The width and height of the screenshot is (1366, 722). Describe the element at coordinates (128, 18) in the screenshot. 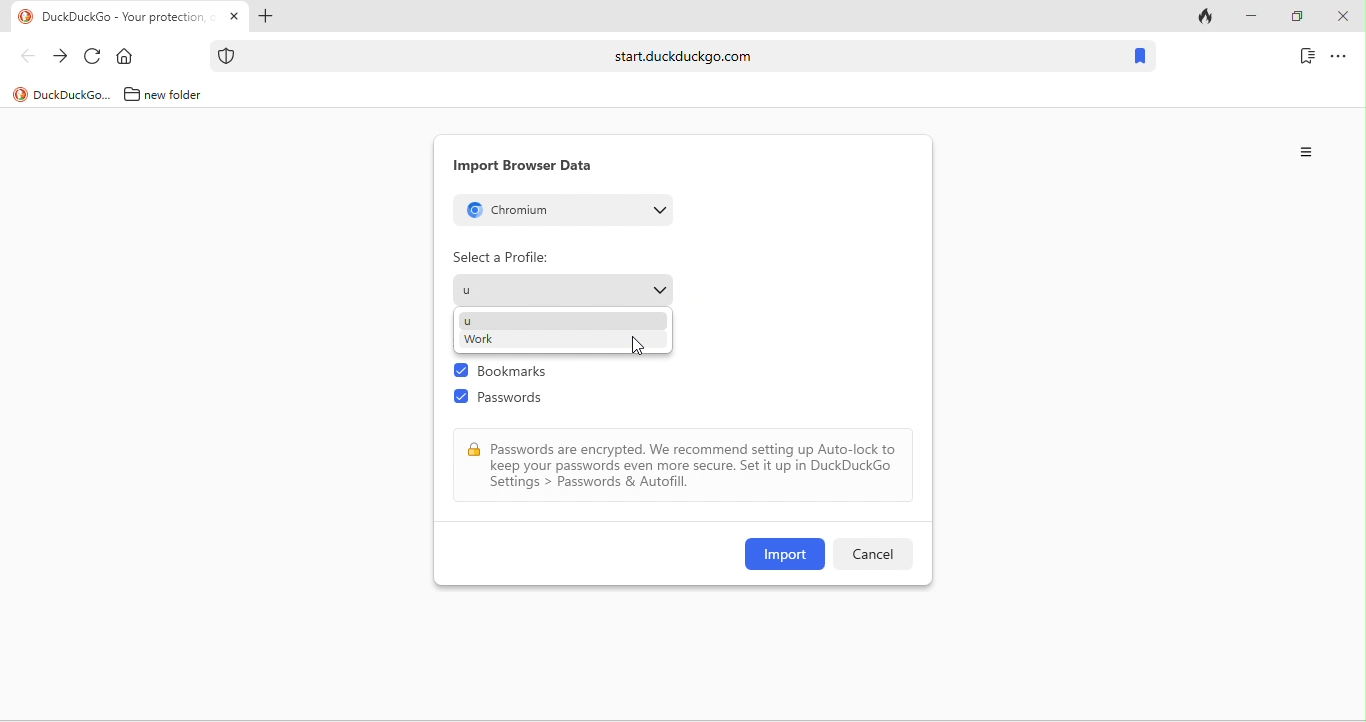

I see `DuckDuckGo - Your protection` at that location.